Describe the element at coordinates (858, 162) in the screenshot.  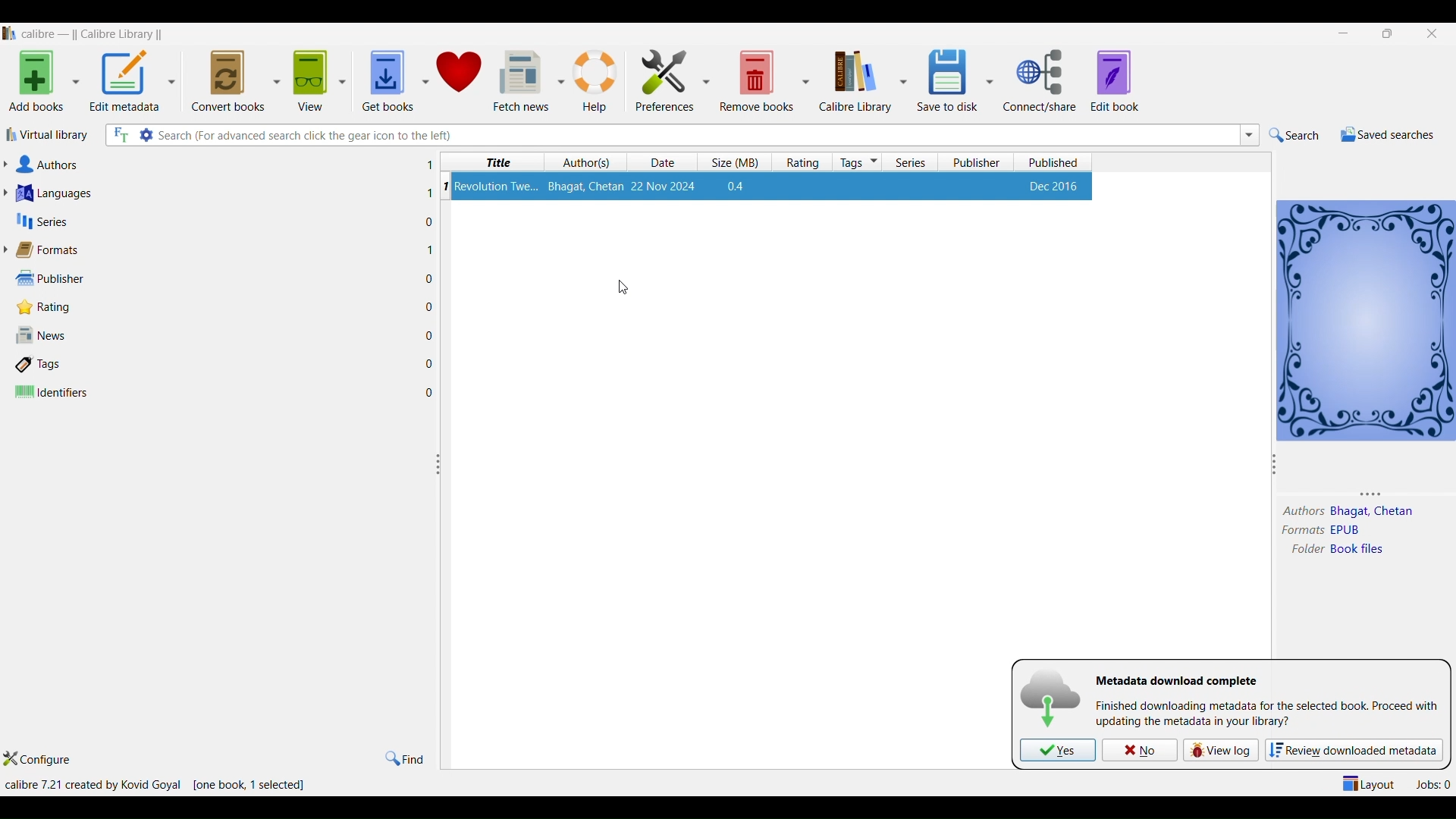
I see `tags` at that location.